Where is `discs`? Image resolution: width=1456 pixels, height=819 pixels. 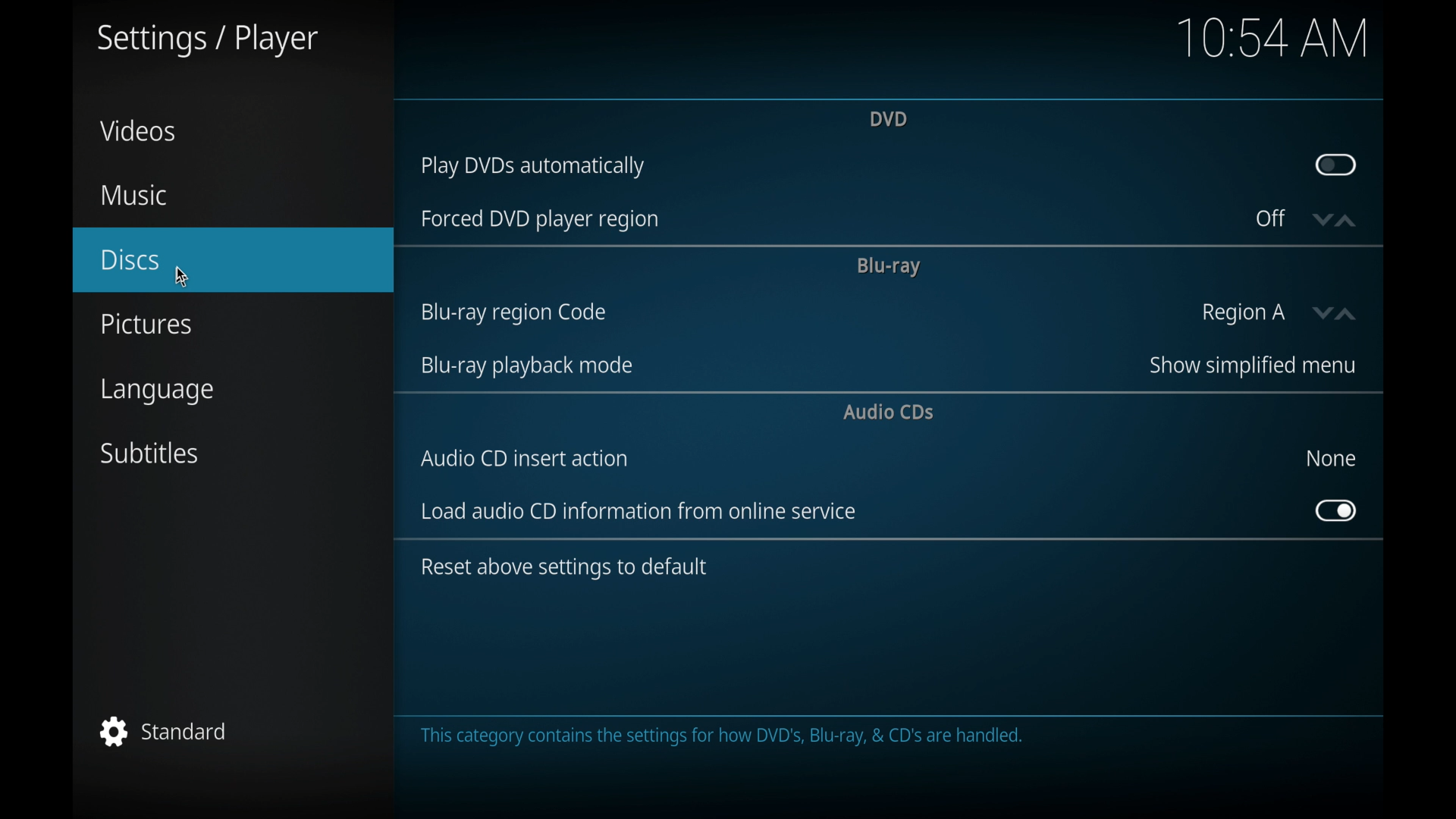
discs is located at coordinates (130, 260).